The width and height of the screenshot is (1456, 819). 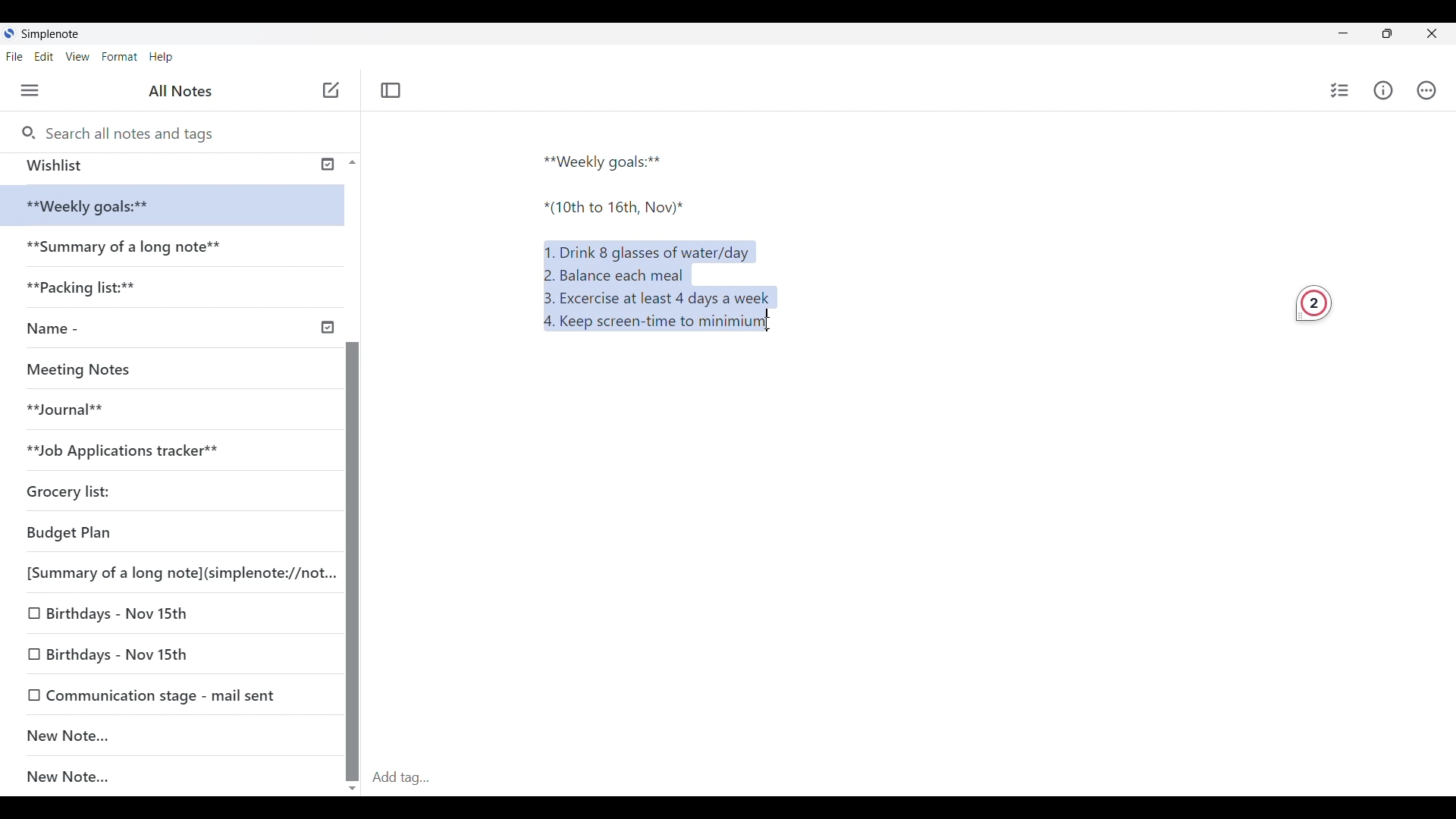 What do you see at coordinates (348, 162) in the screenshot?
I see `Scroll up button` at bounding box center [348, 162].